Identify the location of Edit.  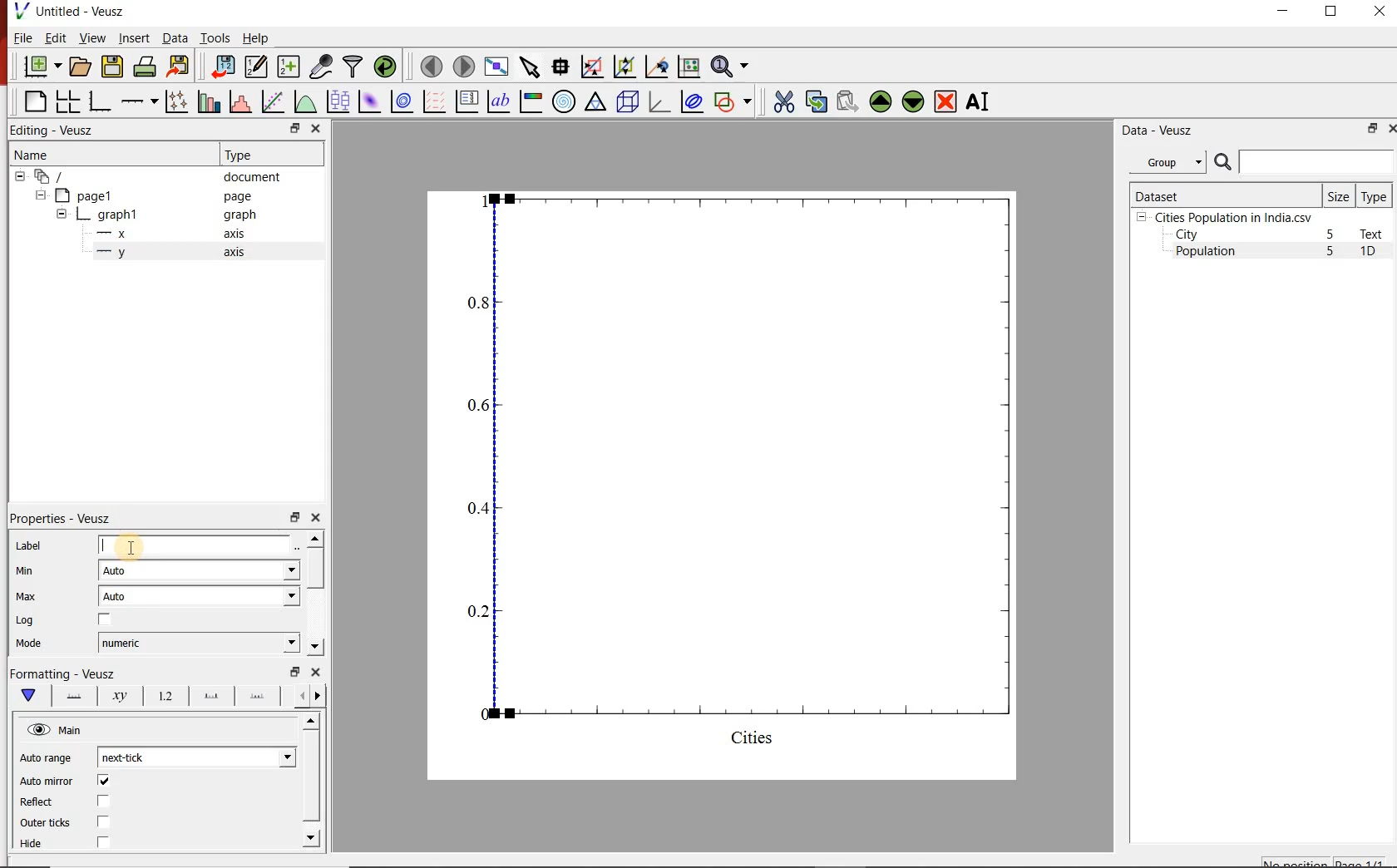
(54, 38).